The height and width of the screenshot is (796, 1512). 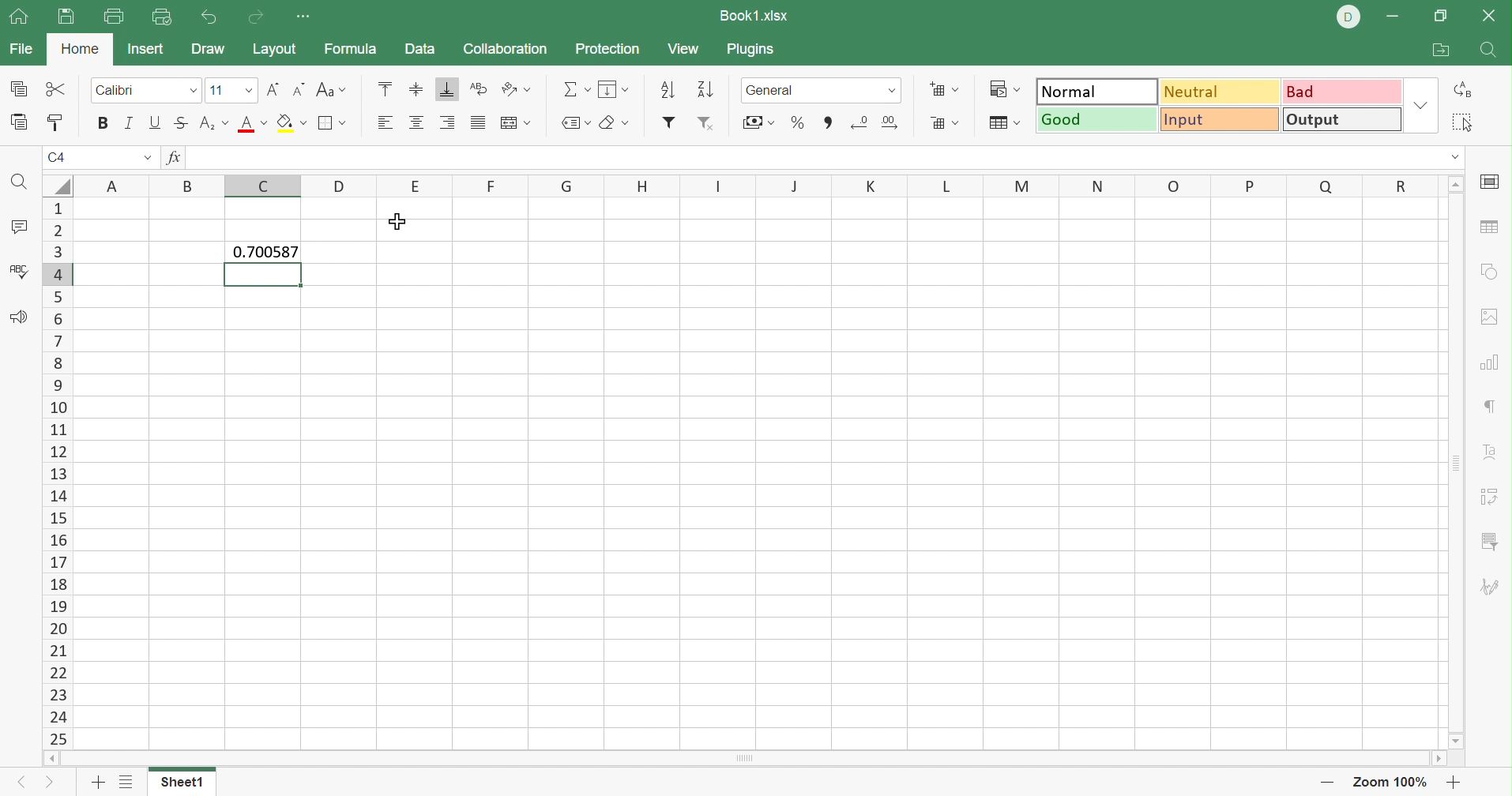 What do you see at coordinates (605, 47) in the screenshot?
I see `Protection` at bounding box center [605, 47].